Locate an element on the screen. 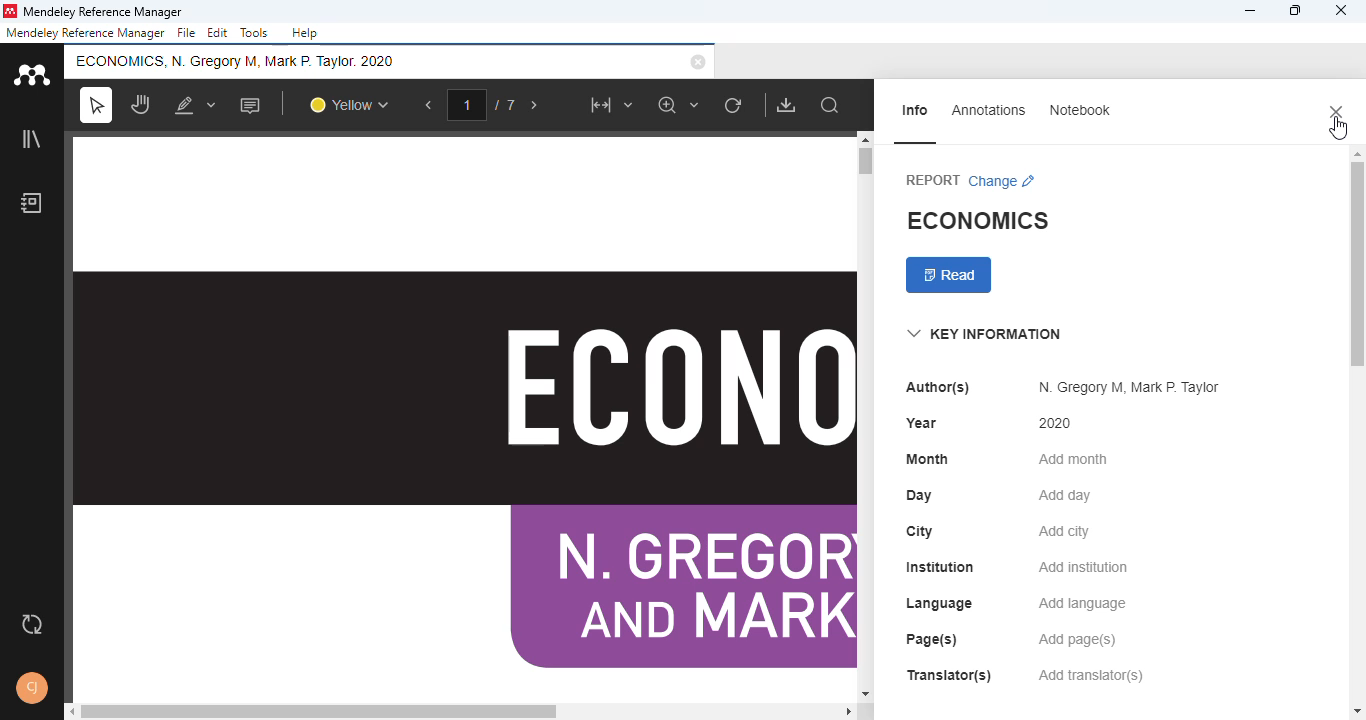  search is located at coordinates (830, 106).